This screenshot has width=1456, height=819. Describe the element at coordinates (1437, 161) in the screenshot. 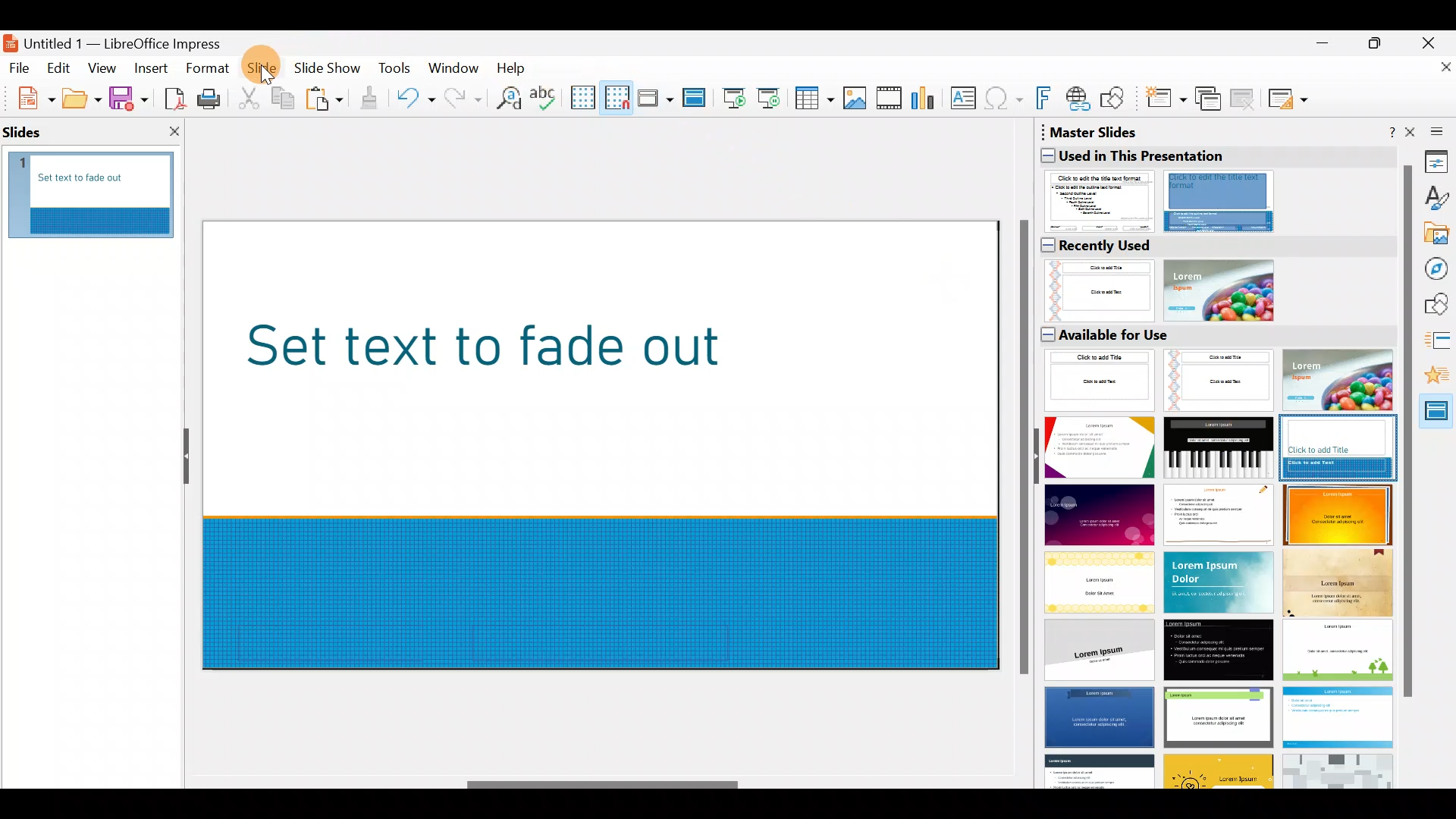

I see `Properties` at that location.